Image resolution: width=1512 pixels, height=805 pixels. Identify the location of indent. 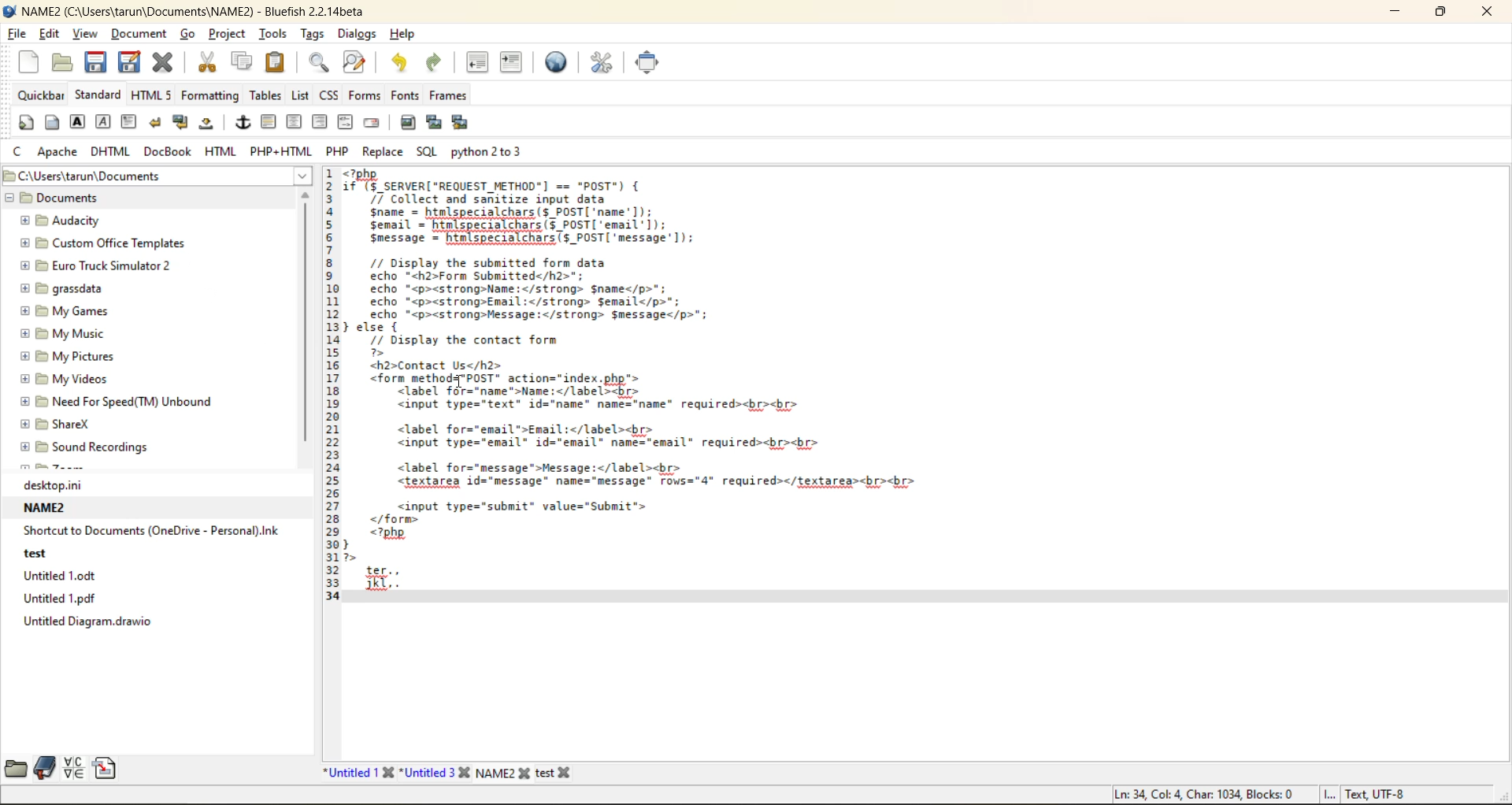
(510, 61).